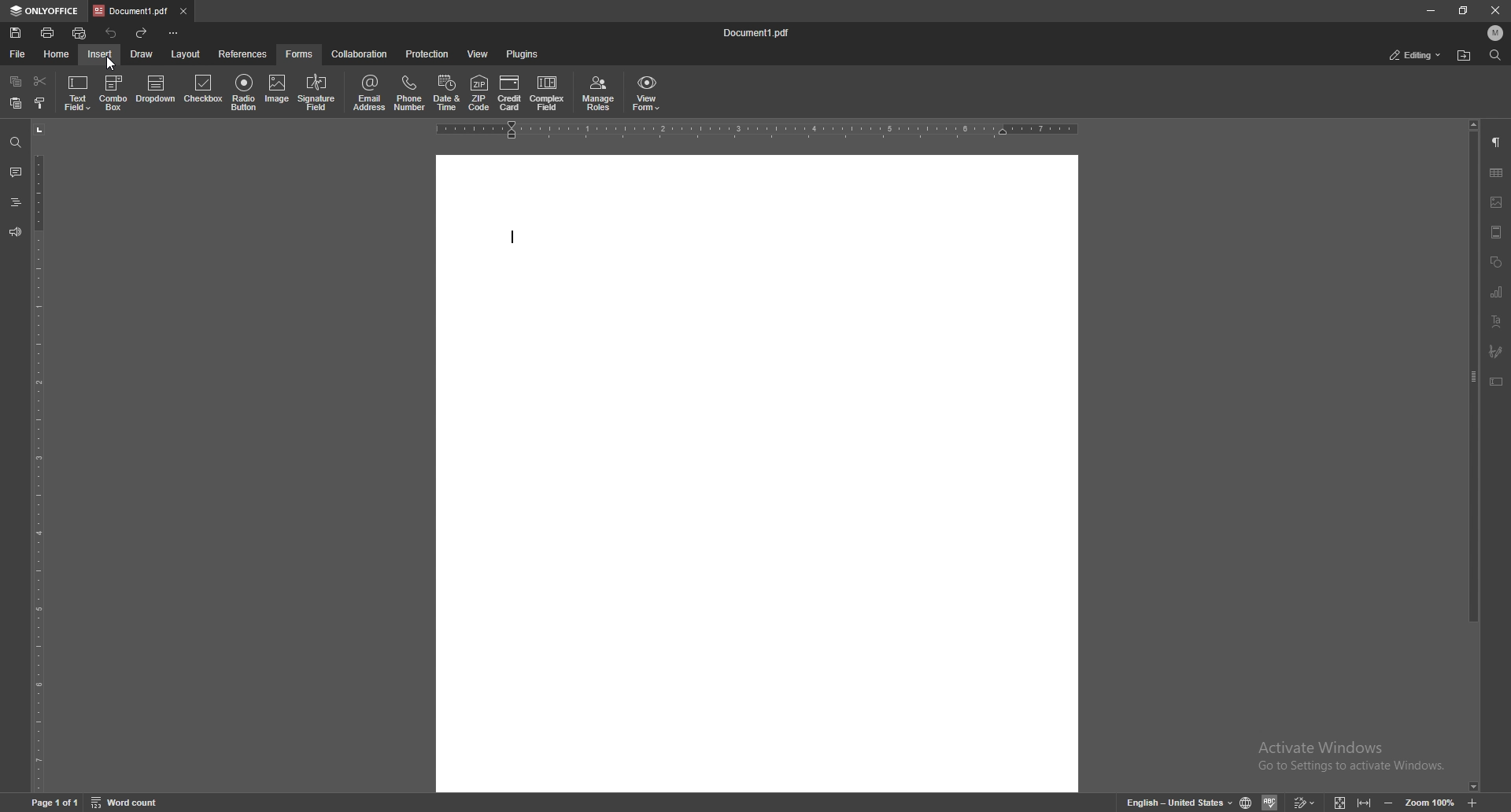 The width and height of the screenshot is (1511, 812). I want to click on vertical scale, so click(36, 456).